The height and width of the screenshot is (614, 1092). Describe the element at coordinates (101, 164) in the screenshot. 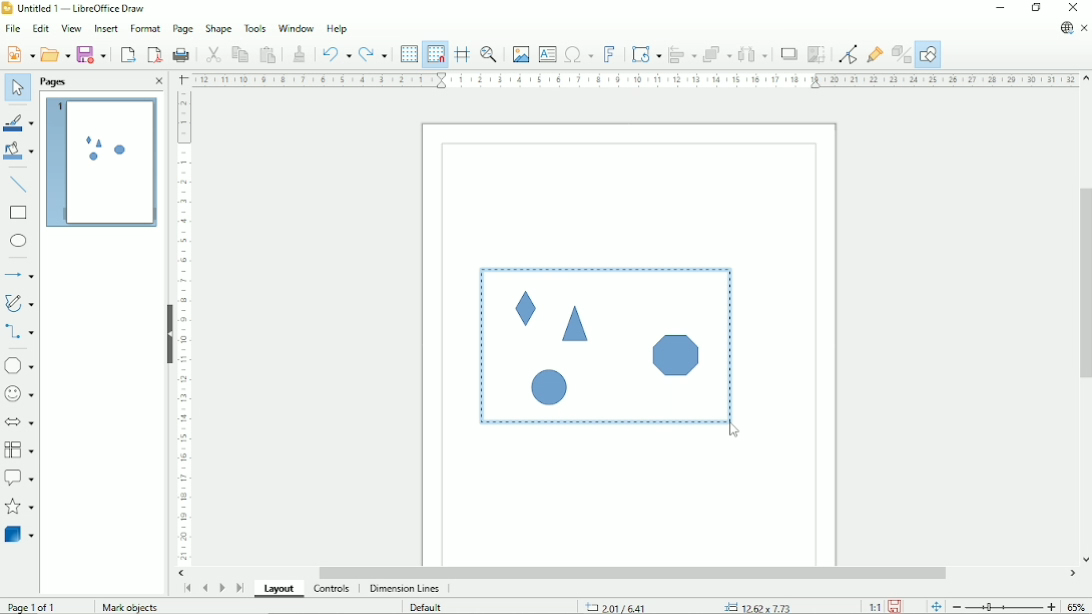

I see `Preview` at that location.